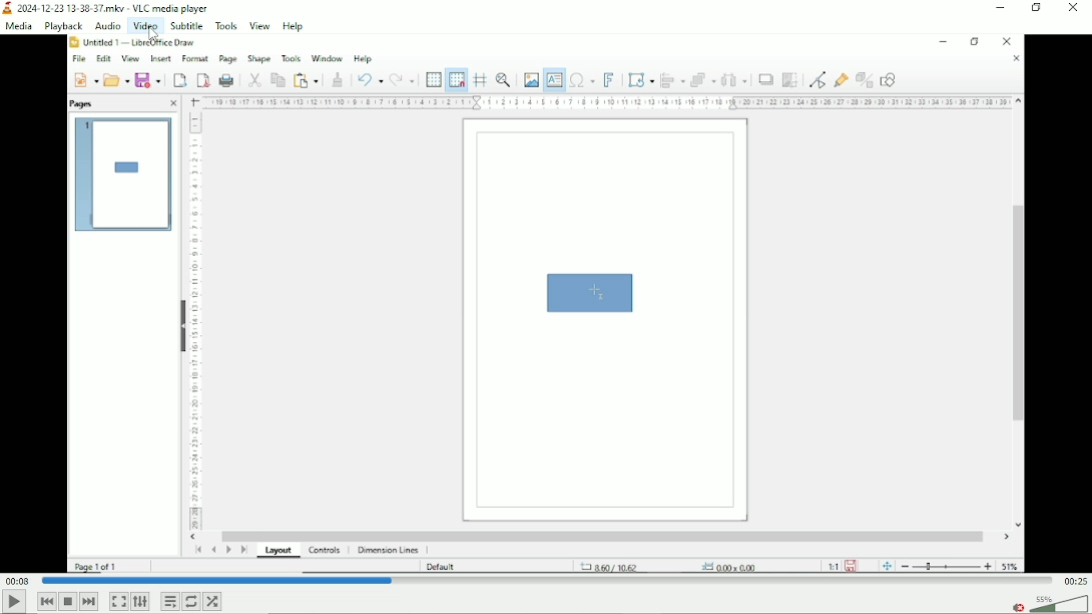  Describe the element at coordinates (187, 25) in the screenshot. I see `Subtitle` at that location.